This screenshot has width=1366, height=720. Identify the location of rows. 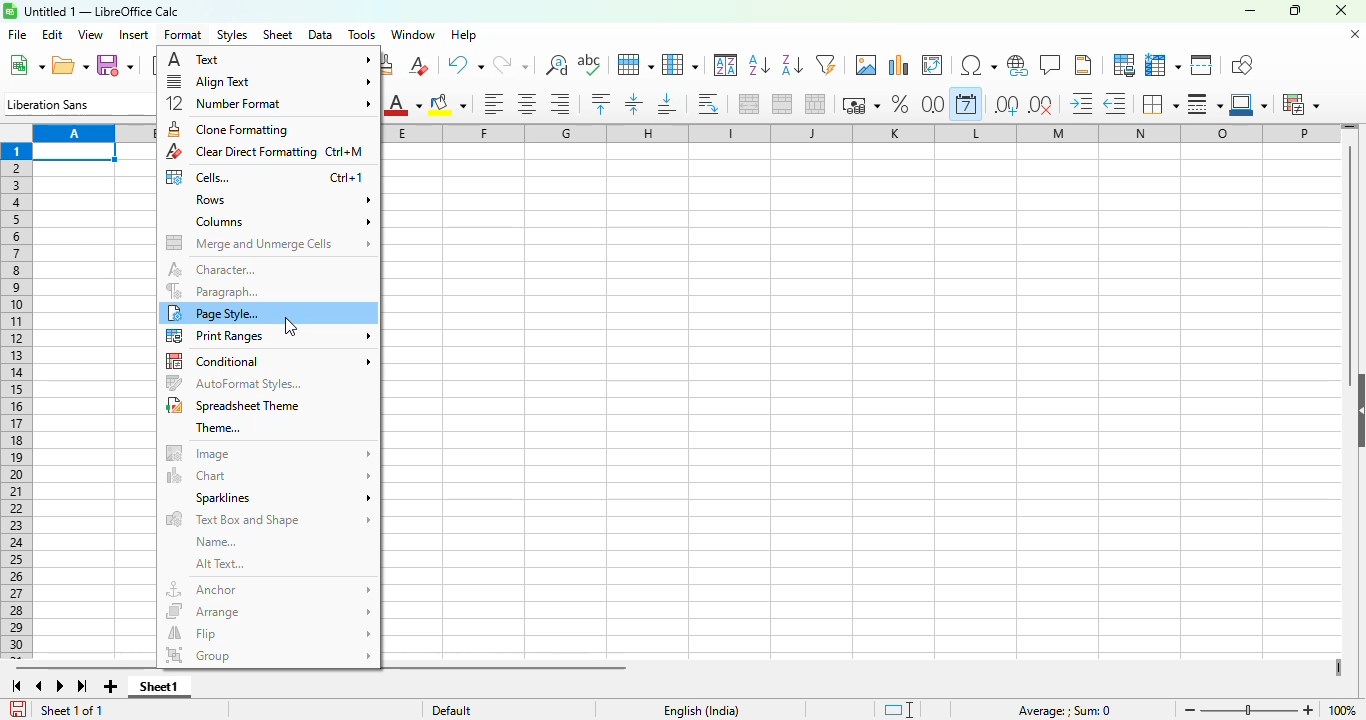
(16, 401).